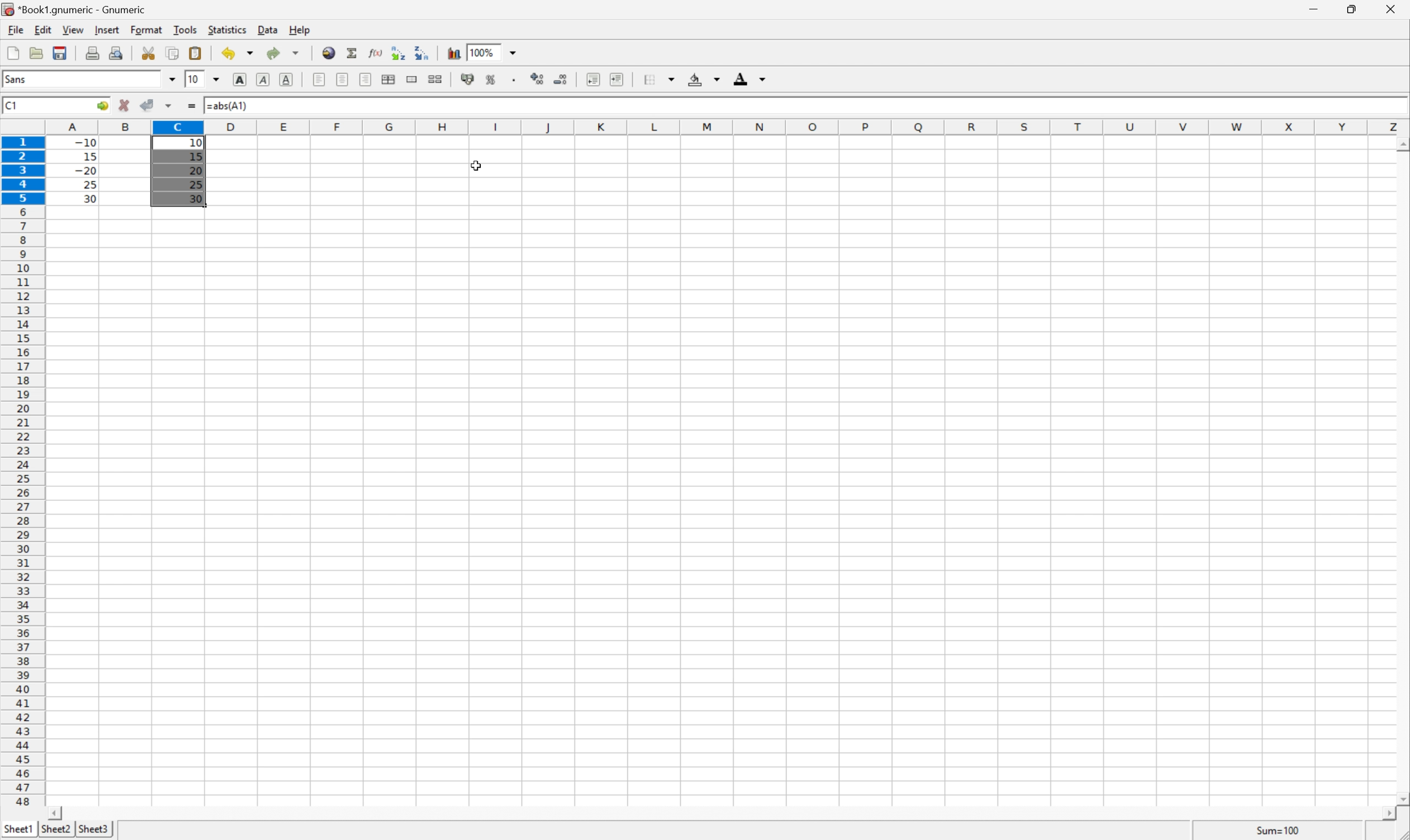  I want to click on Copy the selection, so click(172, 53).